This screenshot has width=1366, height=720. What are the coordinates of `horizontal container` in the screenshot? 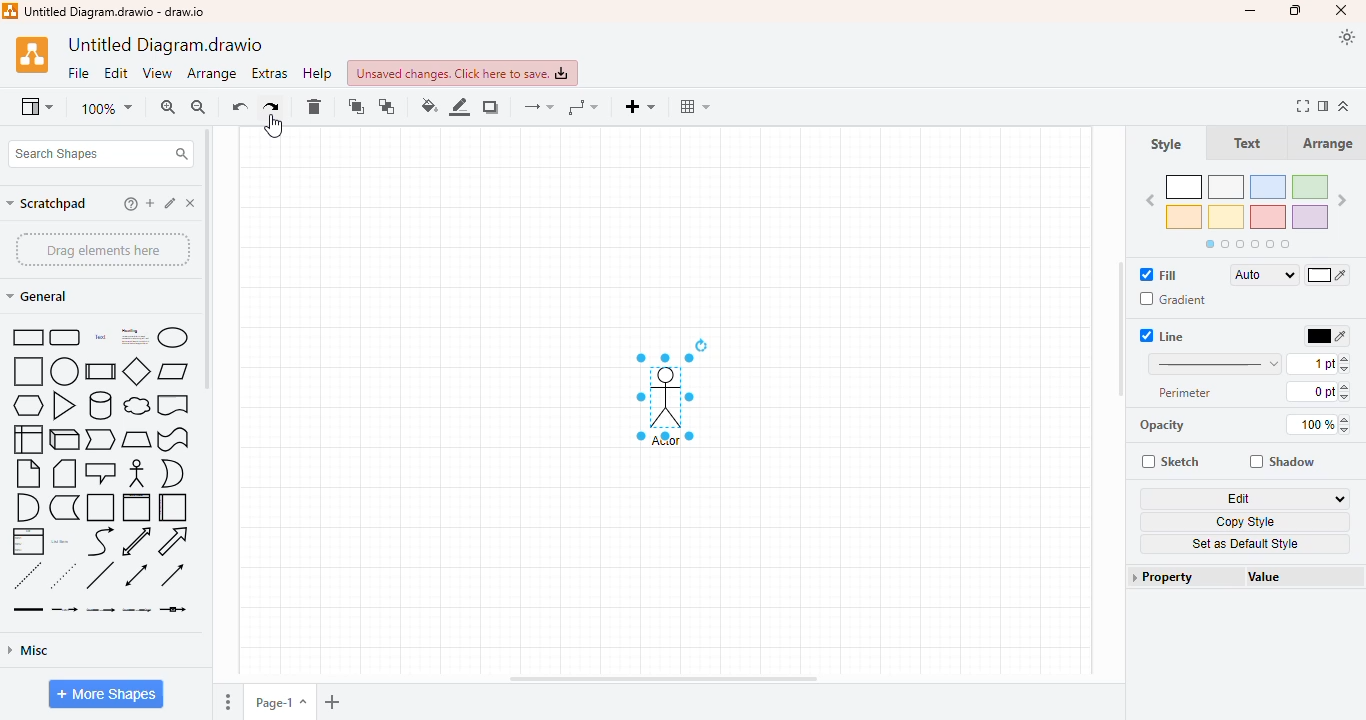 It's located at (174, 507).